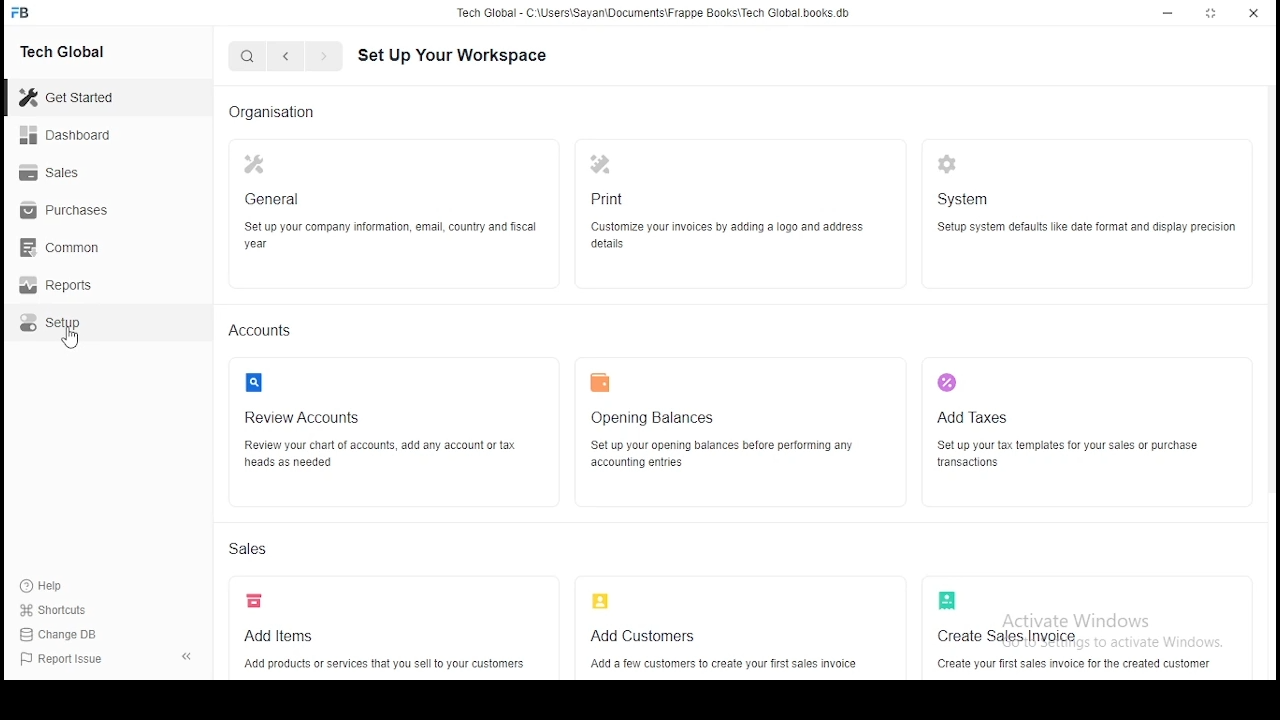 The image size is (1280, 720). Describe the element at coordinates (66, 636) in the screenshot. I see `change DB ` at that location.